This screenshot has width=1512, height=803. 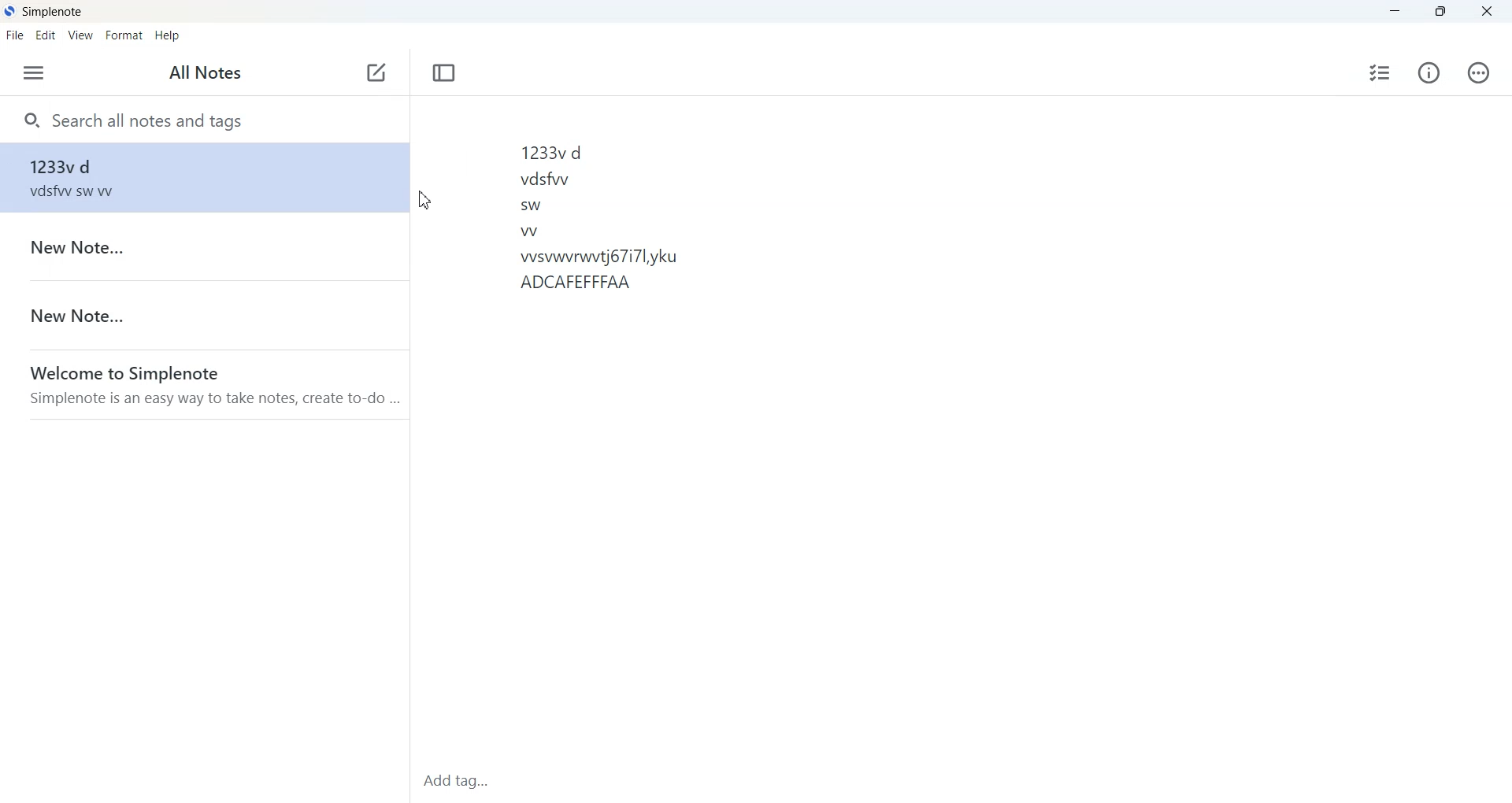 I want to click on Welcome to Simplenote, so click(x=206, y=383).